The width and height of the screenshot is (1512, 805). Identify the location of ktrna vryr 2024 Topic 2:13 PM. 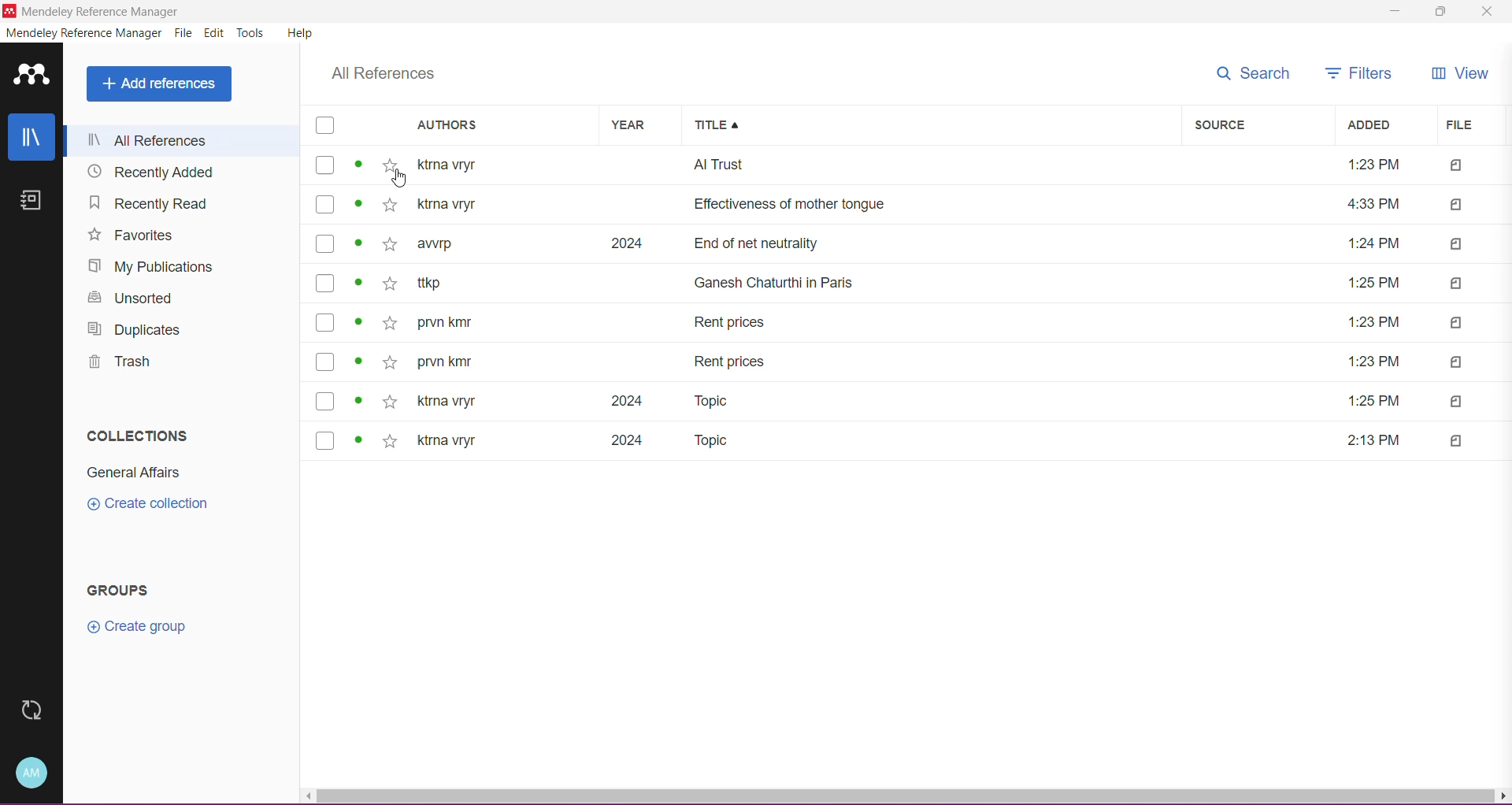
(912, 441).